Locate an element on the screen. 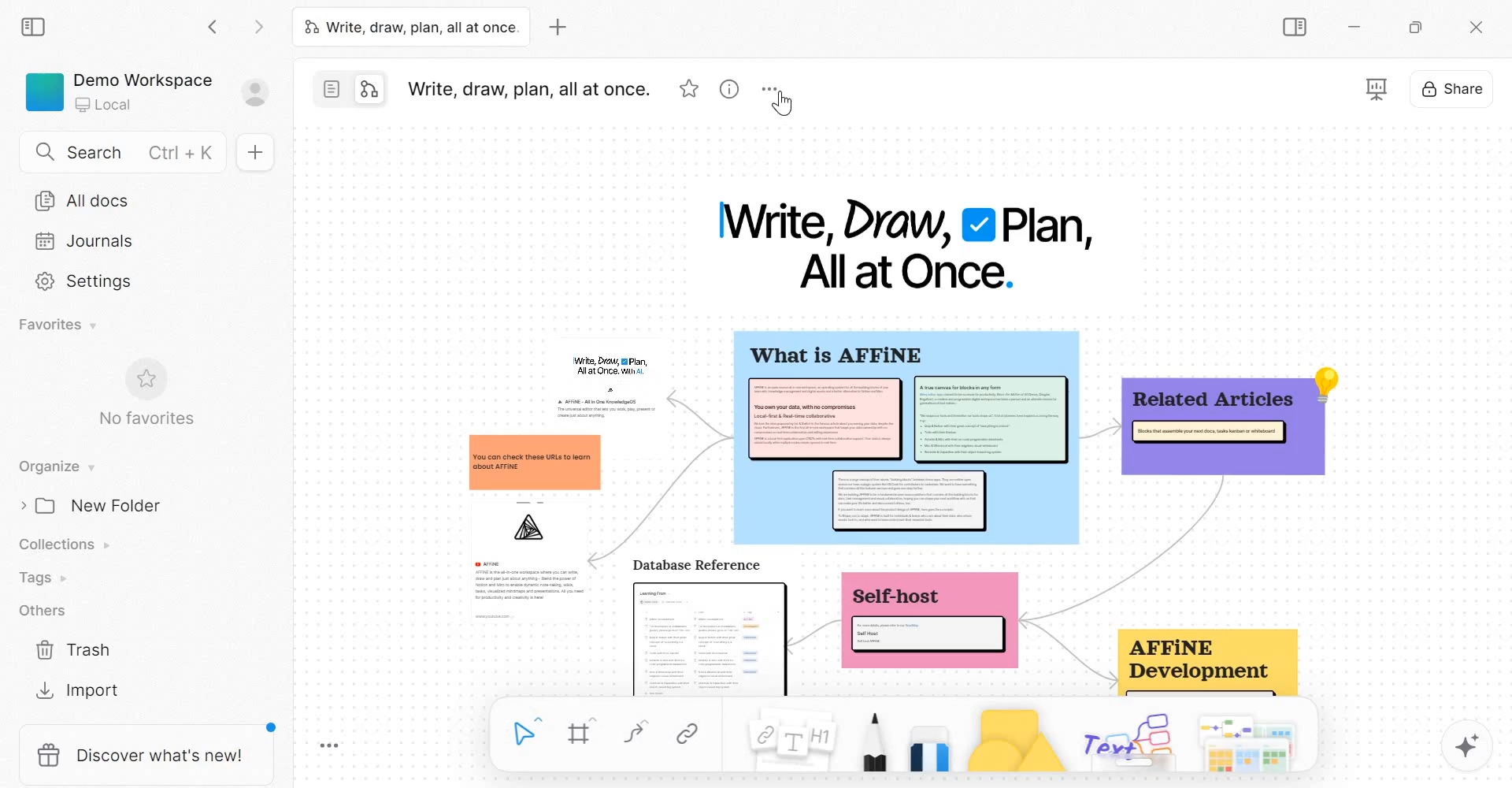 This screenshot has width=1512, height=788. Collections is located at coordinates (65, 543).